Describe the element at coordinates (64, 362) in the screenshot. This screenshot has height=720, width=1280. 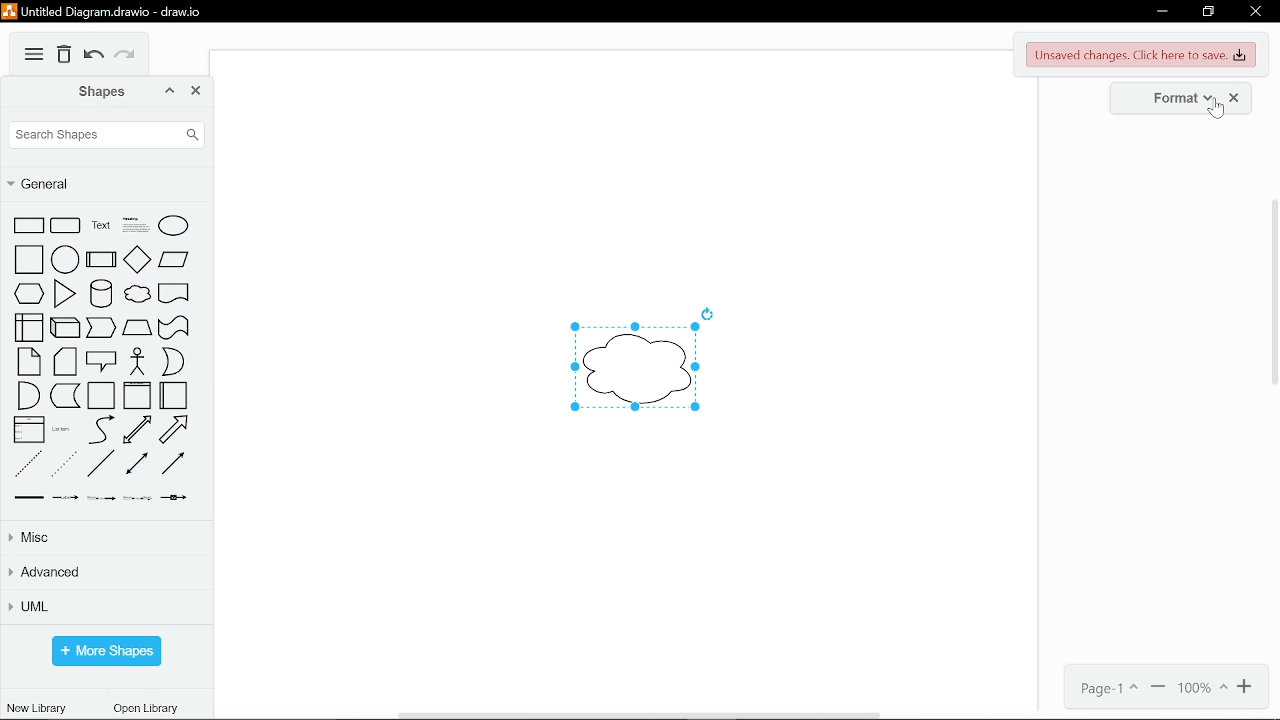
I see `card` at that location.